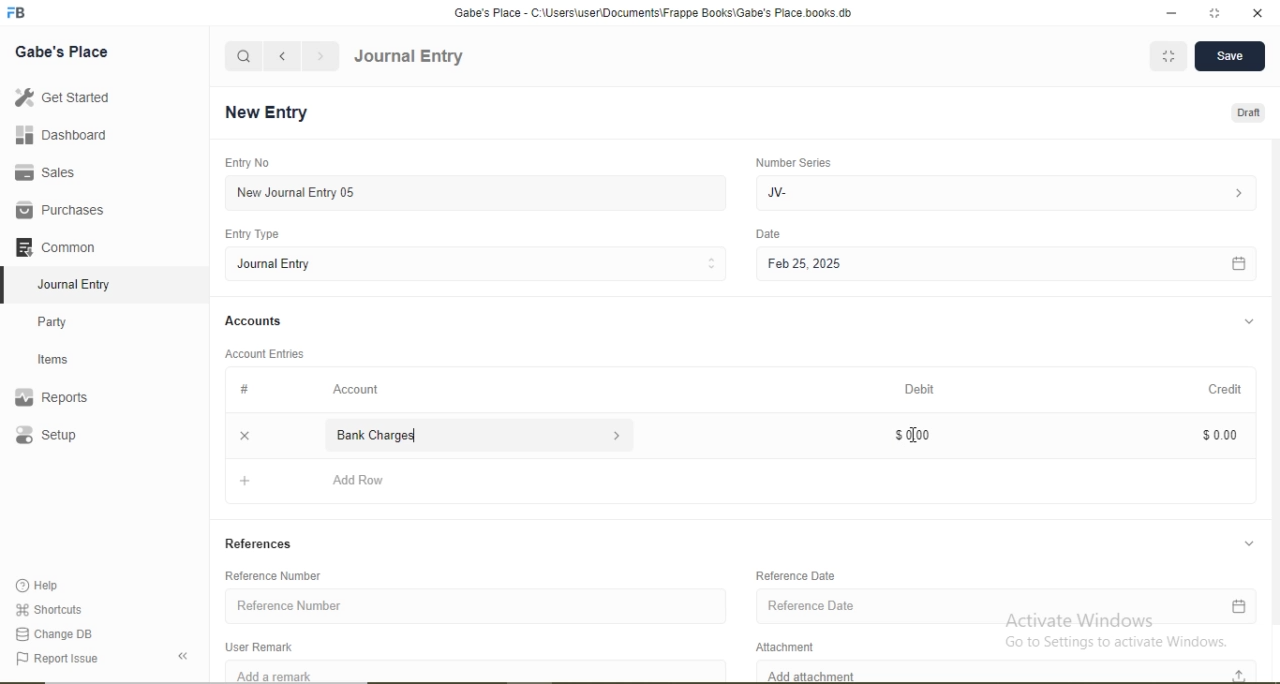 The image size is (1280, 684). What do you see at coordinates (916, 437) in the screenshot?
I see `cursor` at bounding box center [916, 437].